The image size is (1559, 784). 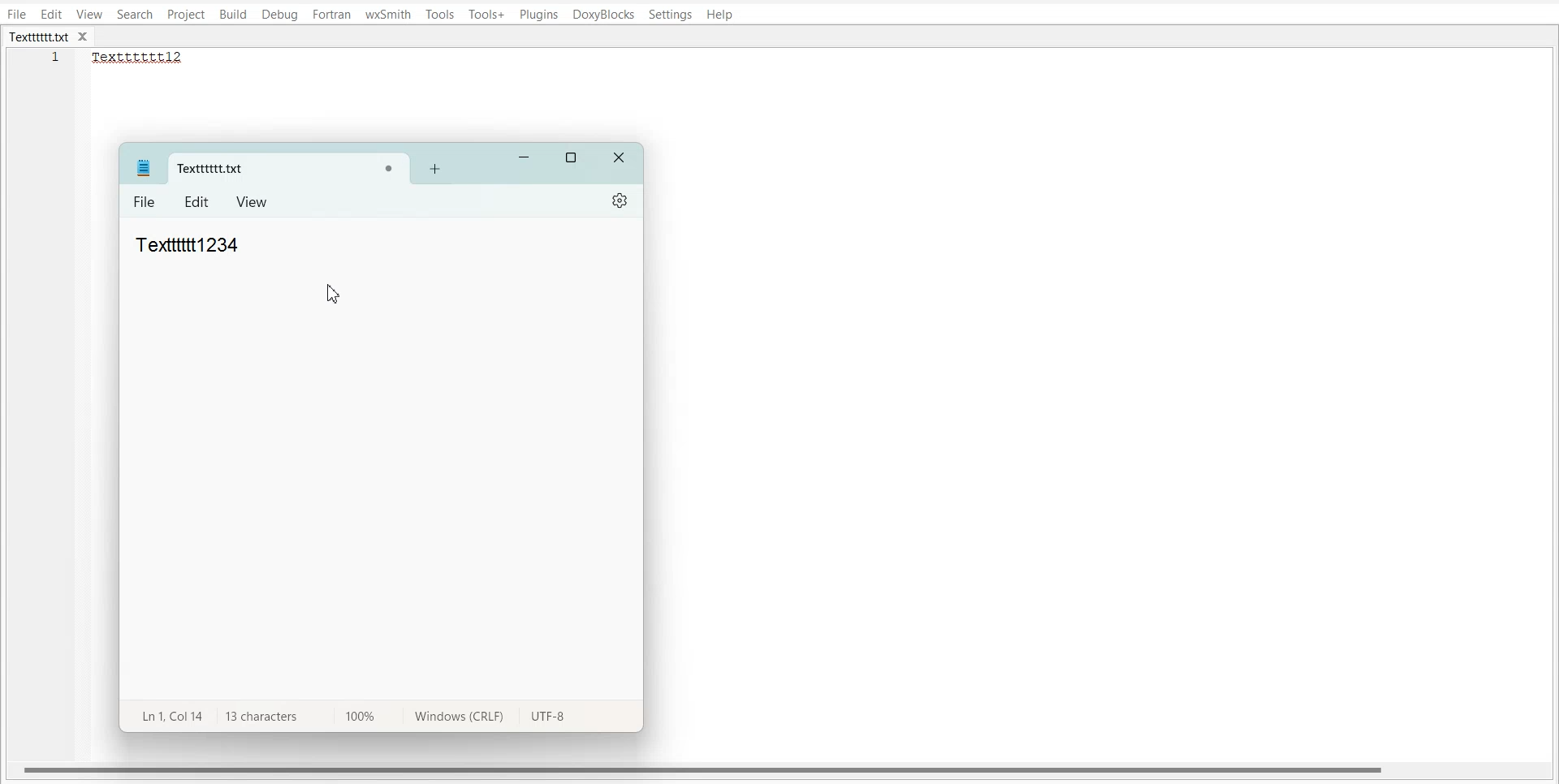 I want to click on View, so click(x=253, y=201).